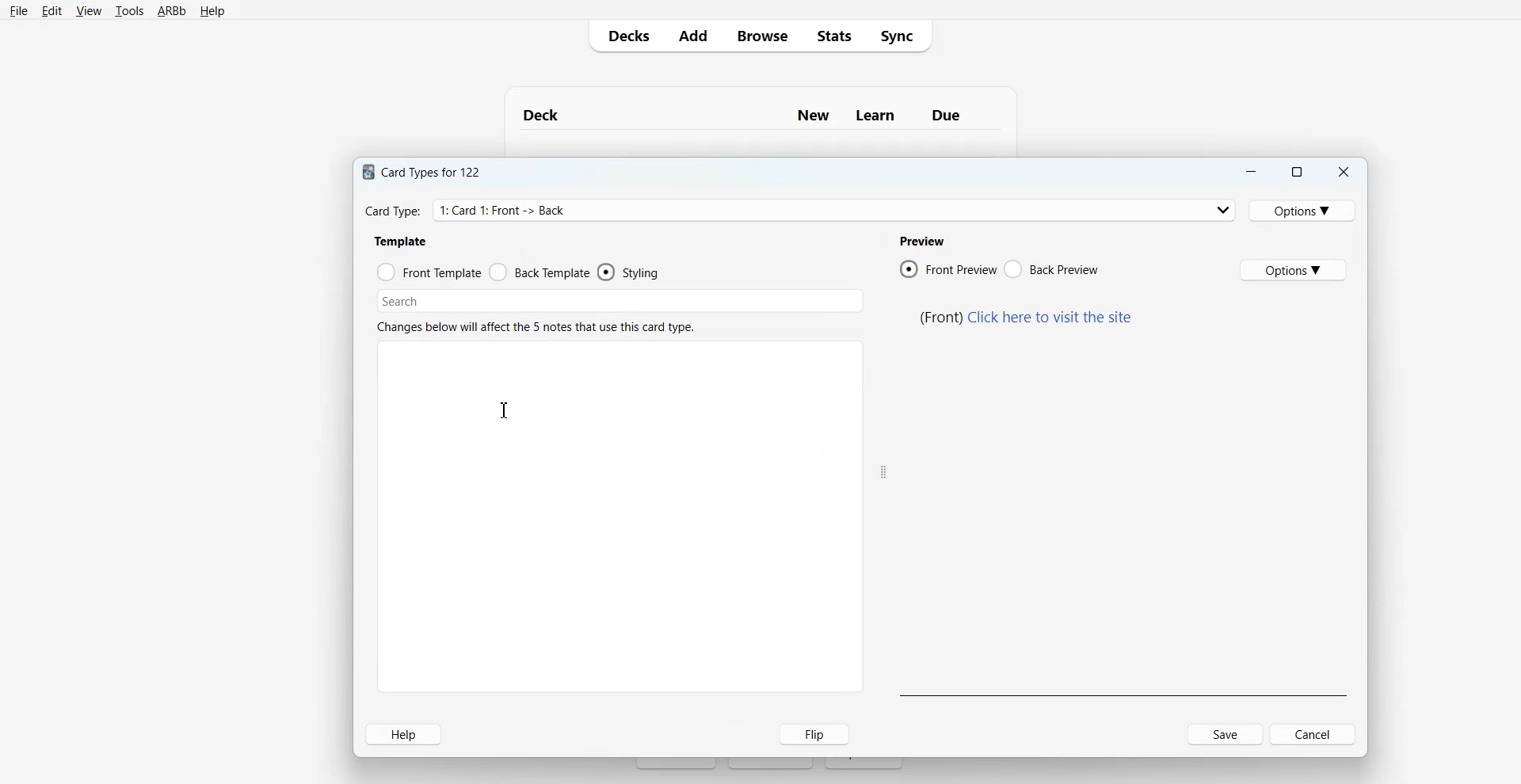 The image size is (1521, 784). What do you see at coordinates (921, 241) in the screenshot?
I see `text 3` at bounding box center [921, 241].